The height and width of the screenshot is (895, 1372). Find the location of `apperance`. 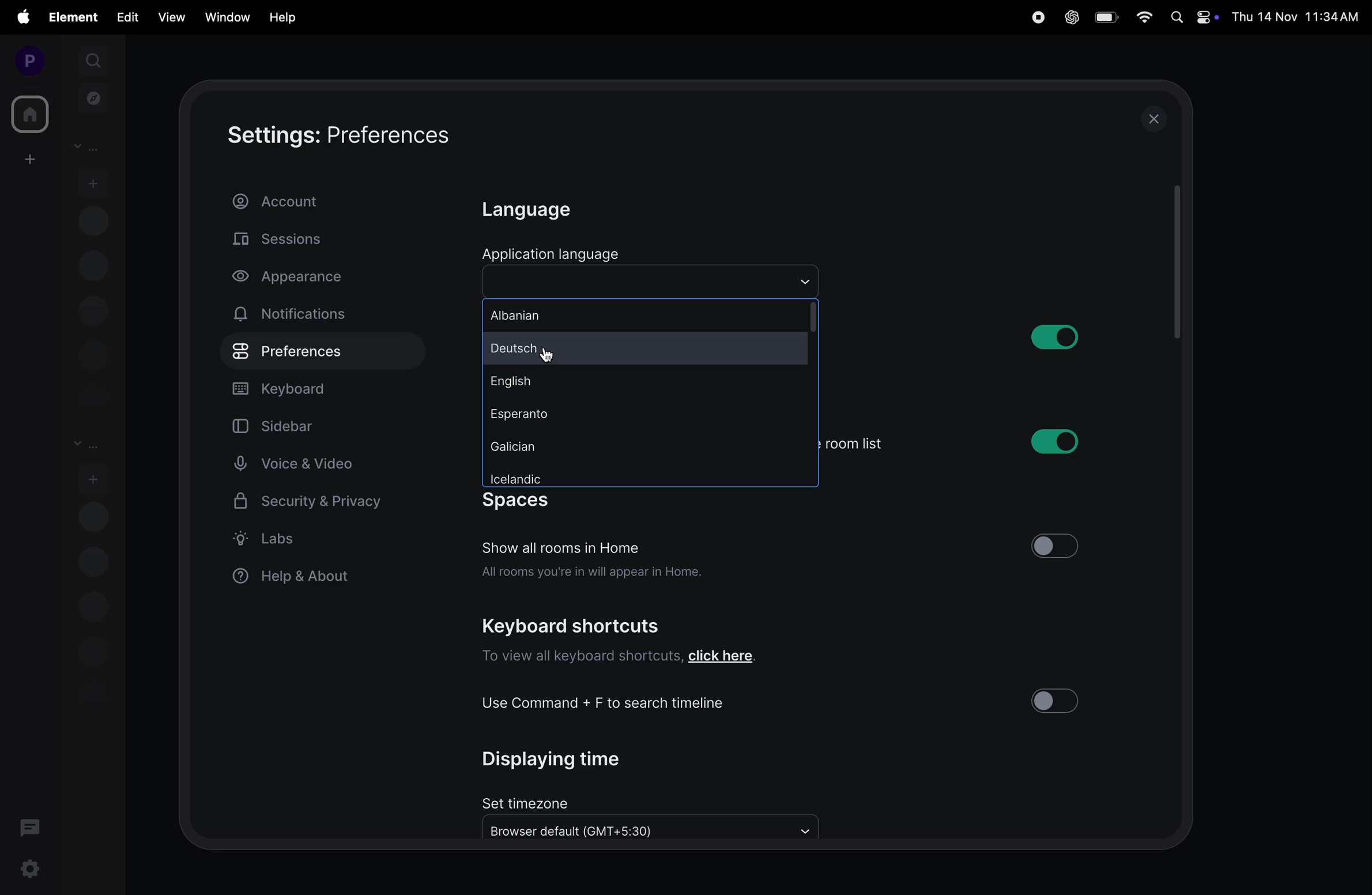

apperance is located at coordinates (318, 279).